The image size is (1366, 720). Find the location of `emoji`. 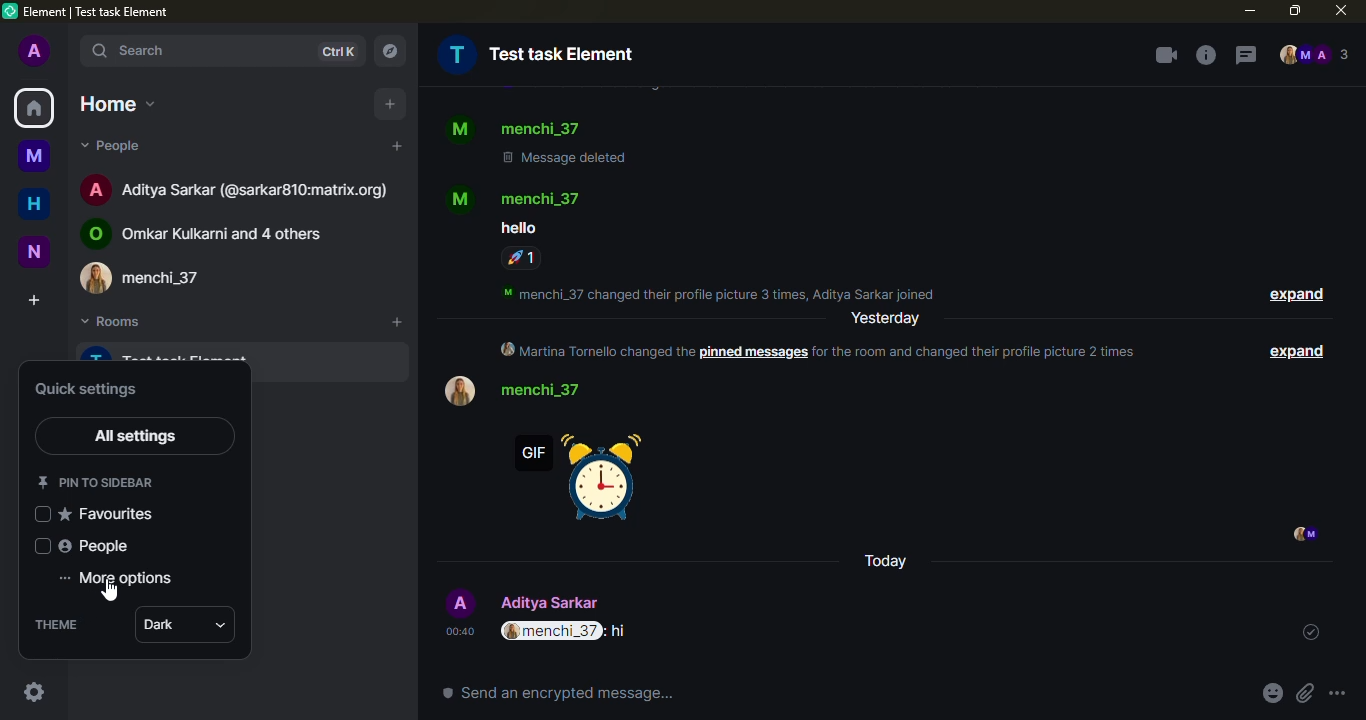

emoji is located at coordinates (1272, 694).